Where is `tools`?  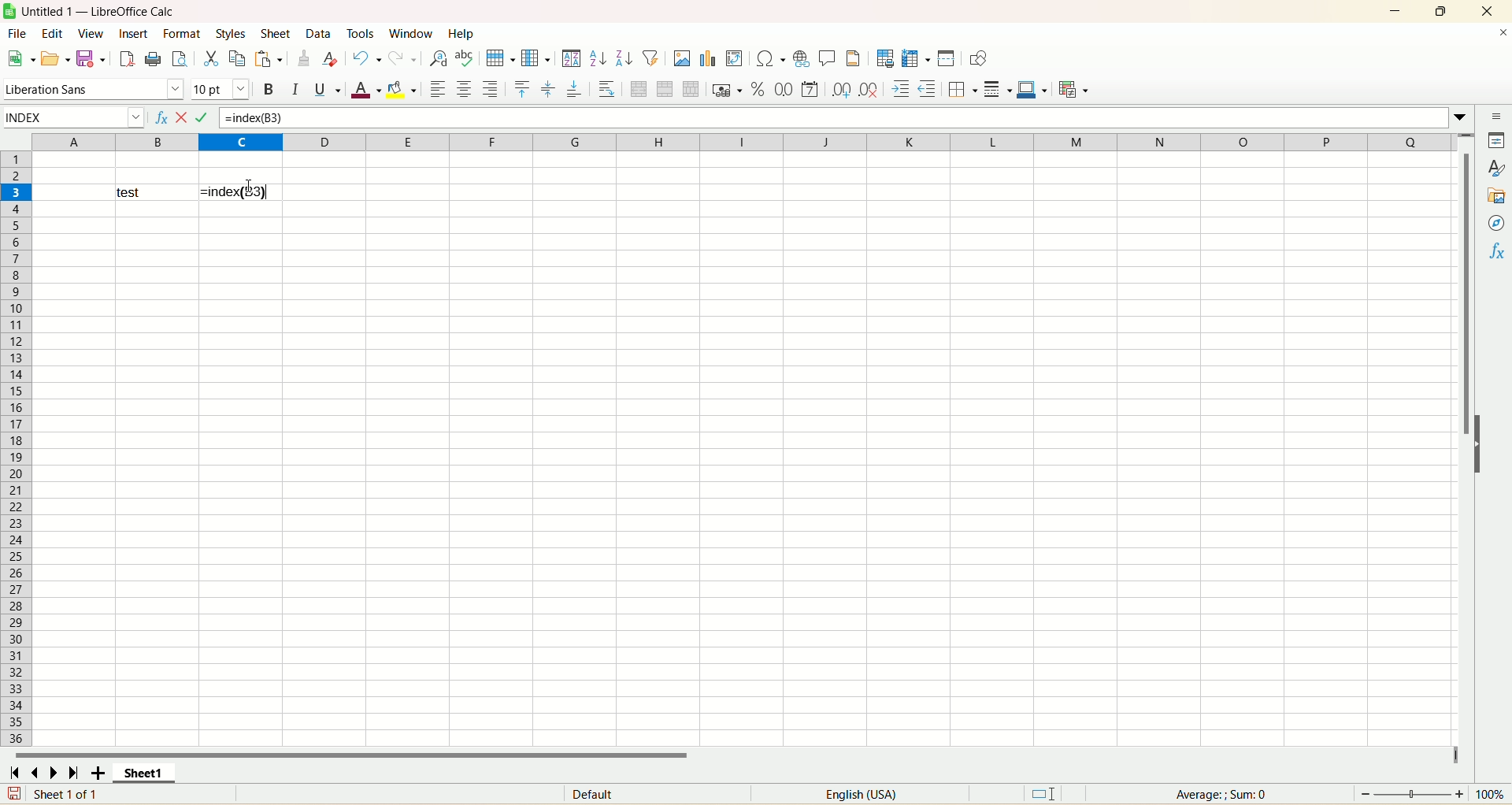 tools is located at coordinates (363, 32).